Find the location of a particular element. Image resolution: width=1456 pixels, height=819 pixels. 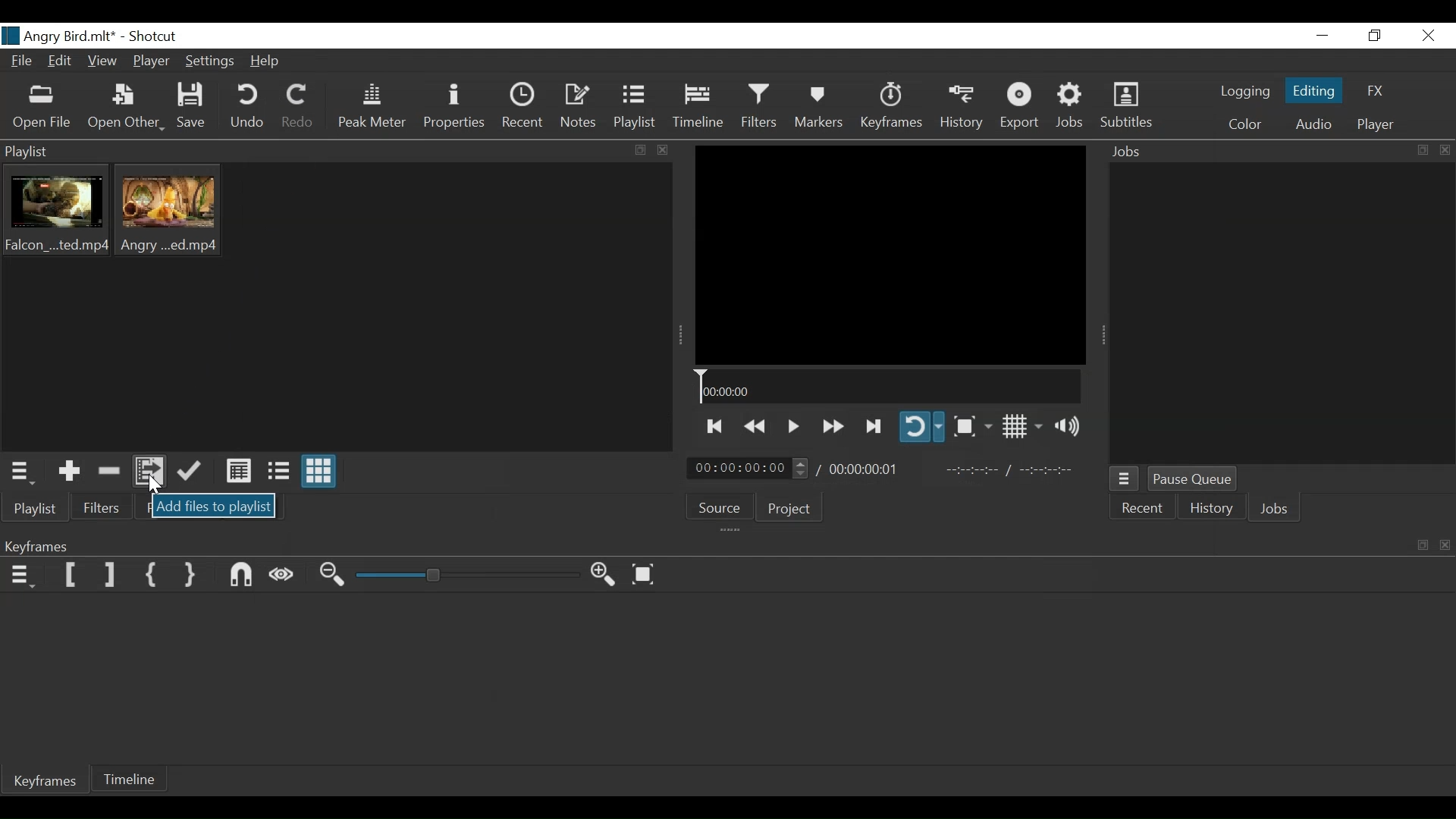

Keyframes is located at coordinates (894, 107).